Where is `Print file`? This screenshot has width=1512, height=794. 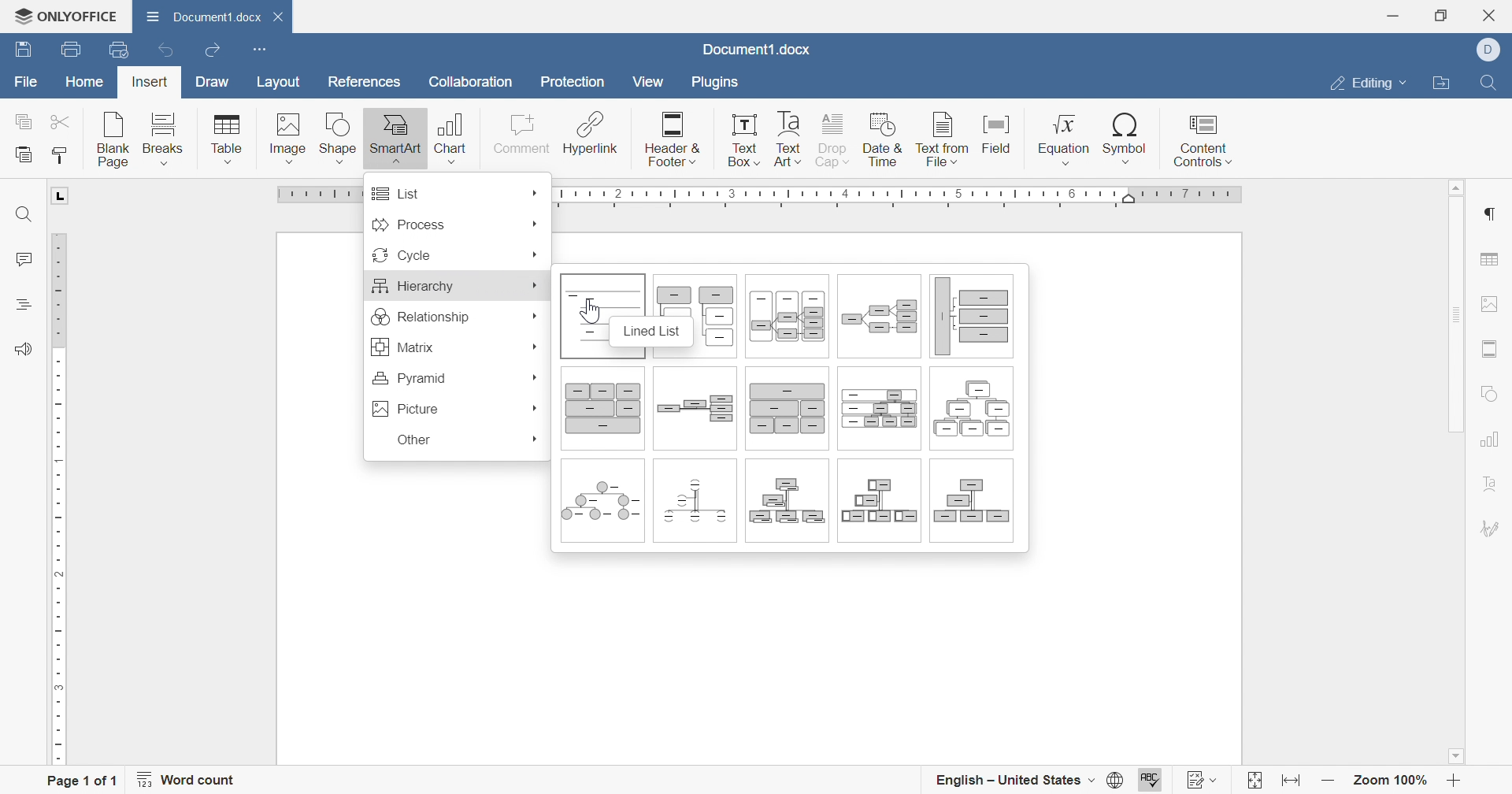 Print file is located at coordinates (67, 50).